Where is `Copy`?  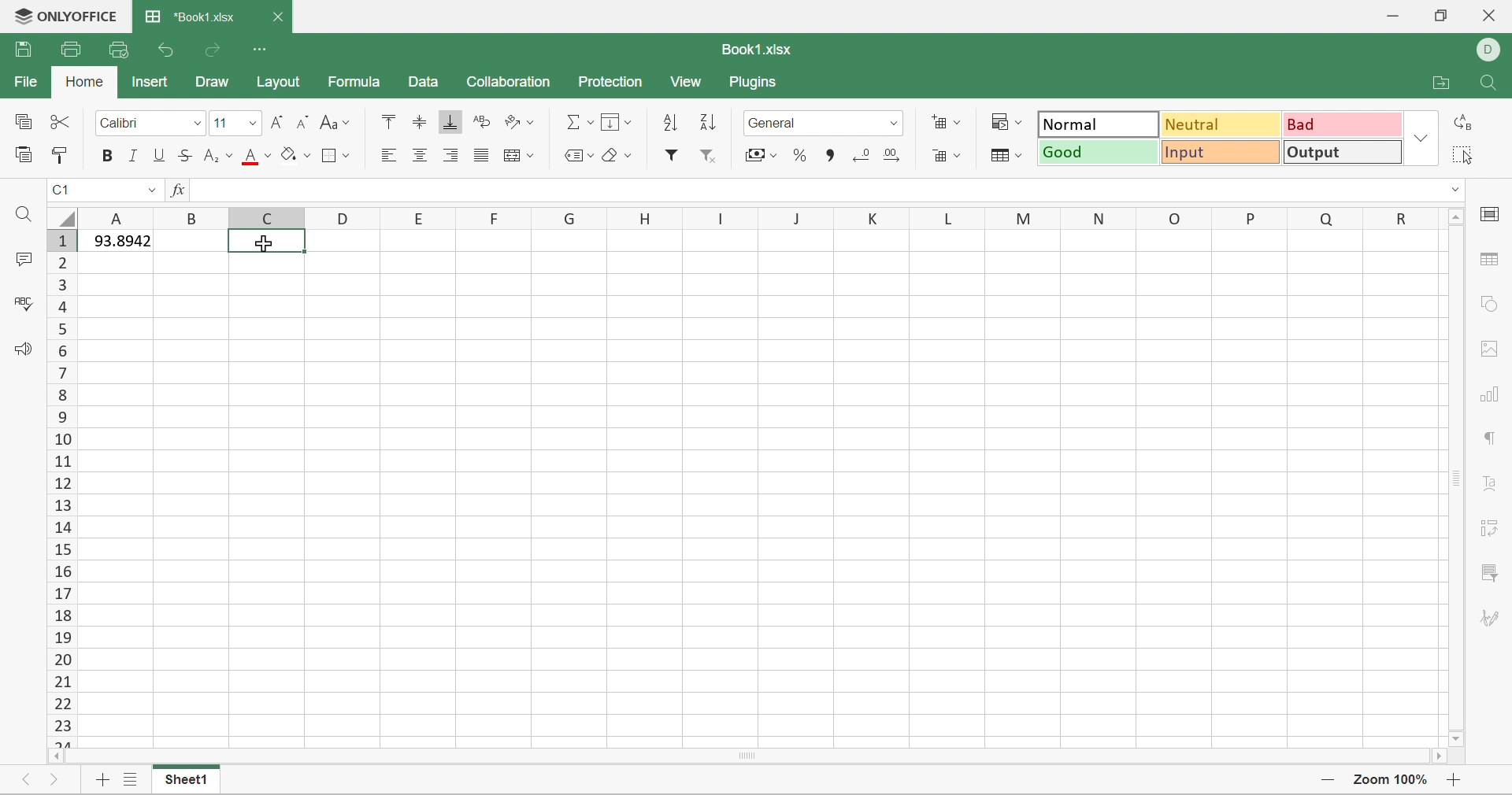 Copy is located at coordinates (21, 120).